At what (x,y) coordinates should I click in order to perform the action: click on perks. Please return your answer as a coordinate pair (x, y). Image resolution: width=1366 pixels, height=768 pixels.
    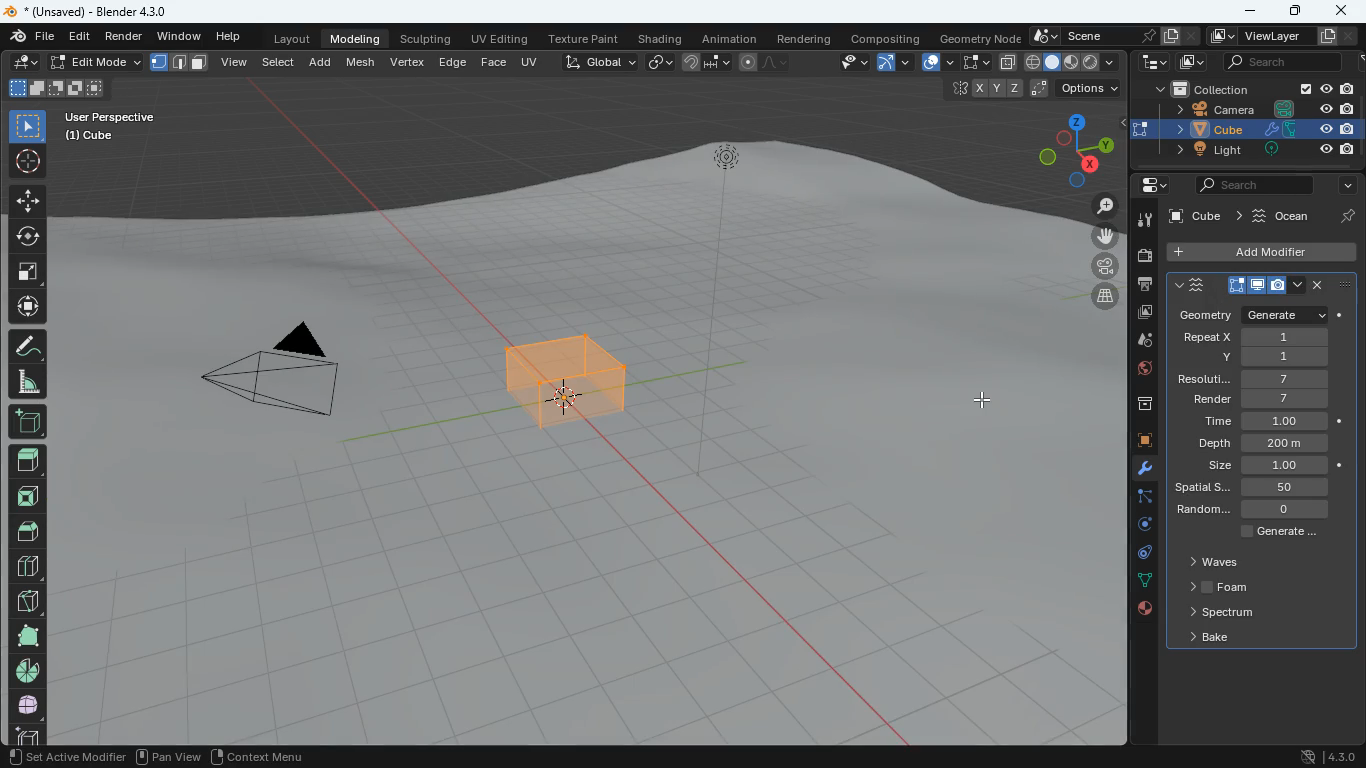
    Looking at the image, I should click on (1260, 286).